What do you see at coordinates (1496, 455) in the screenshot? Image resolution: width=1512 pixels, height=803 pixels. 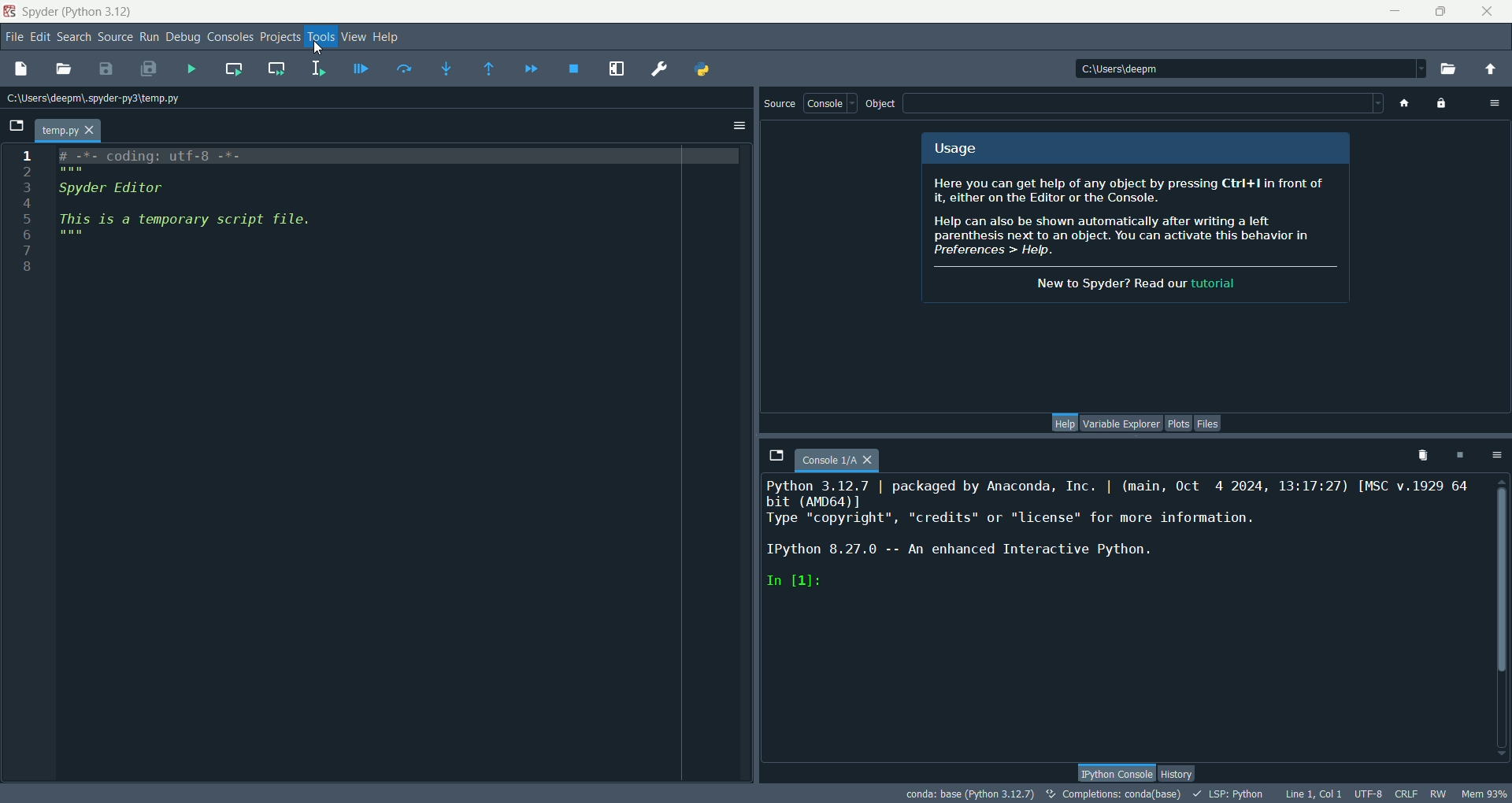 I see `options` at bounding box center [1496, 455].